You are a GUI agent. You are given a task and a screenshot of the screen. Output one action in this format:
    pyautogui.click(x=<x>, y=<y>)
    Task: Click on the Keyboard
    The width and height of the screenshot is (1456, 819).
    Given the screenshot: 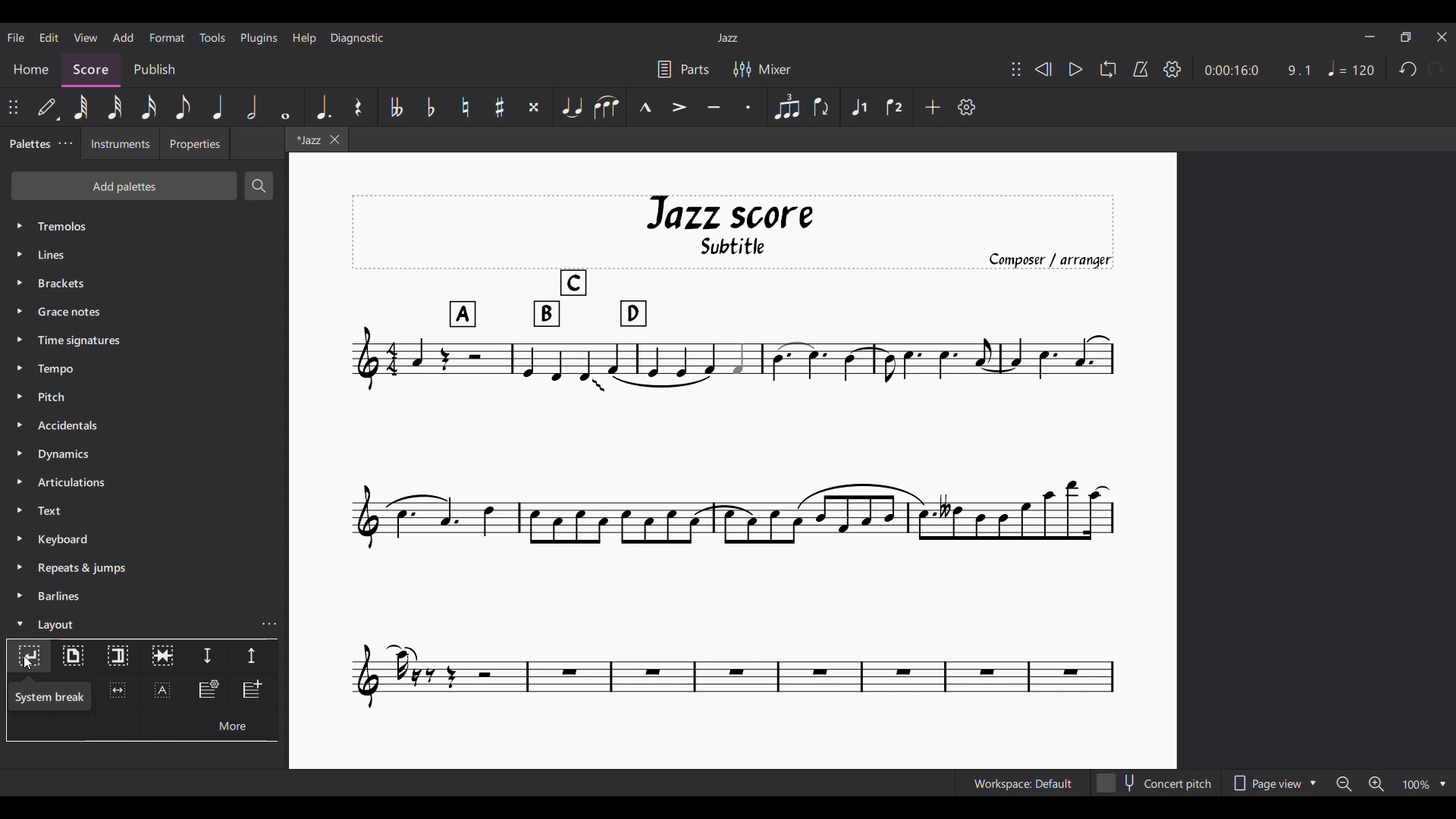 What is the action you would take?
    pyautogui.click(x=145, y=539)
    